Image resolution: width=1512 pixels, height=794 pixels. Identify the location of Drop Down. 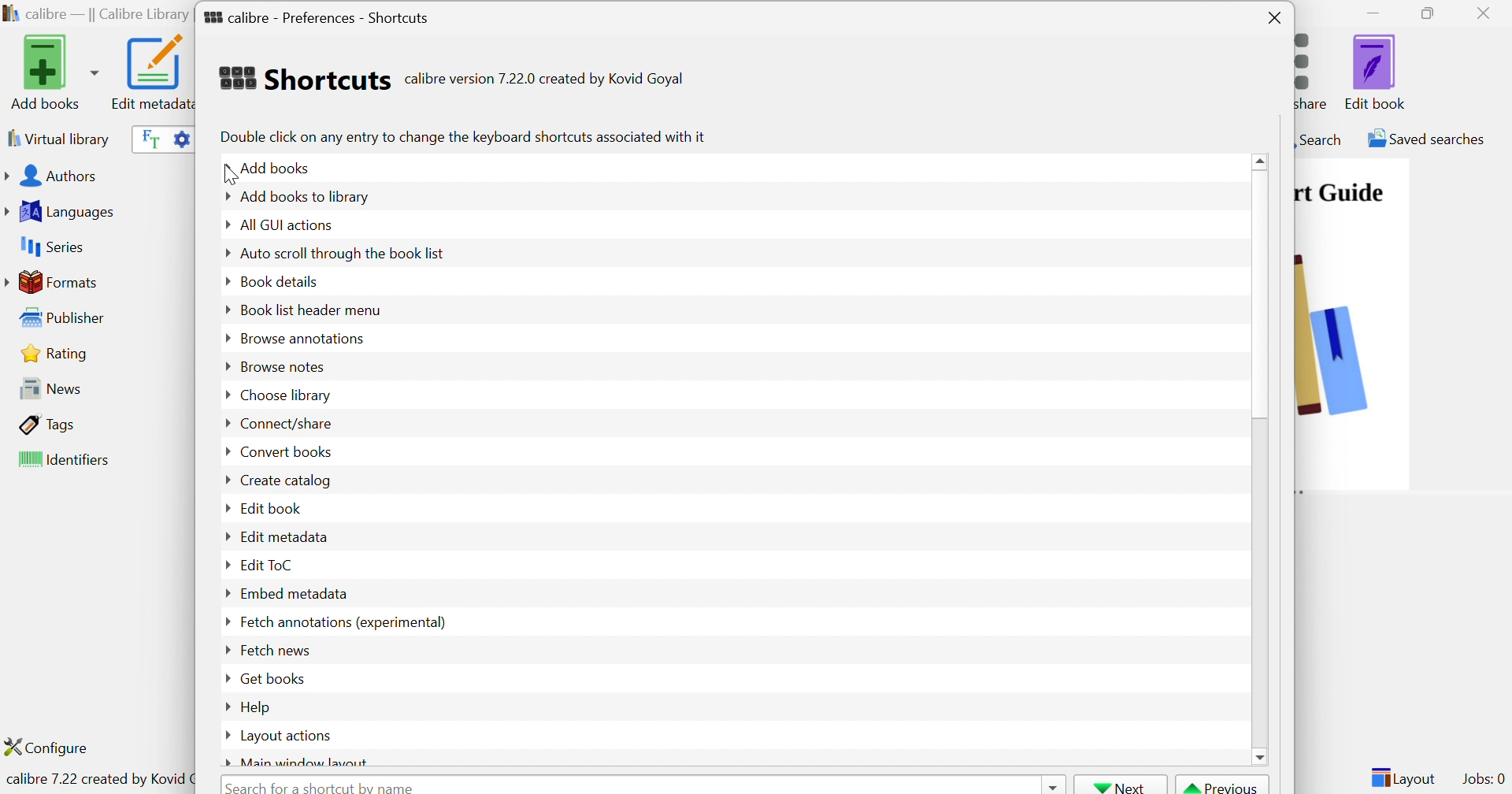
(225, 566).